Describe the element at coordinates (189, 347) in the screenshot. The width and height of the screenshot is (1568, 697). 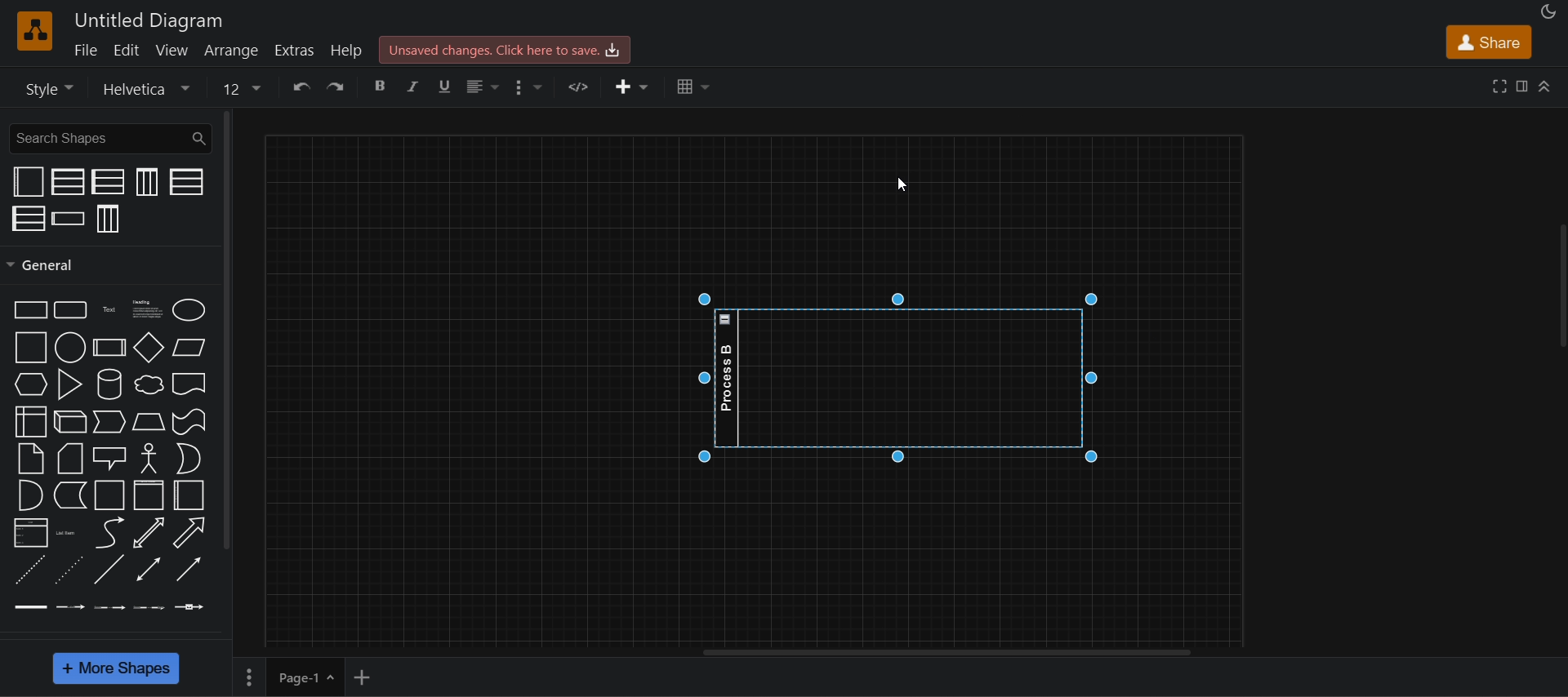
I see `parallelogram` at that location.